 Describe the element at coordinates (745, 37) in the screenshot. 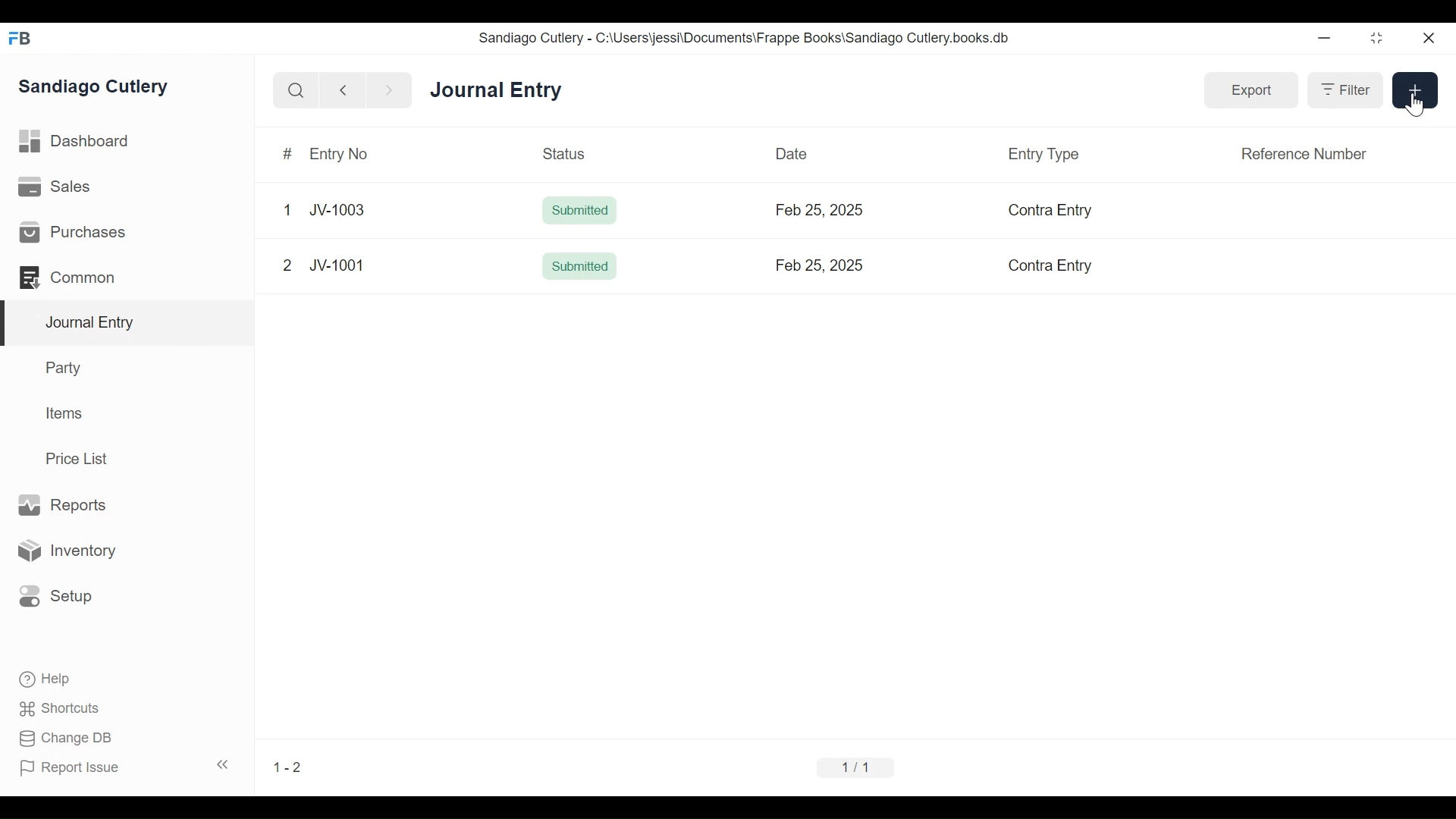

I see `Sandiago Cutlery - C:\Users\jessi\Documents\Frappe Books\Sandiago Cutlery.books.db` at that location.